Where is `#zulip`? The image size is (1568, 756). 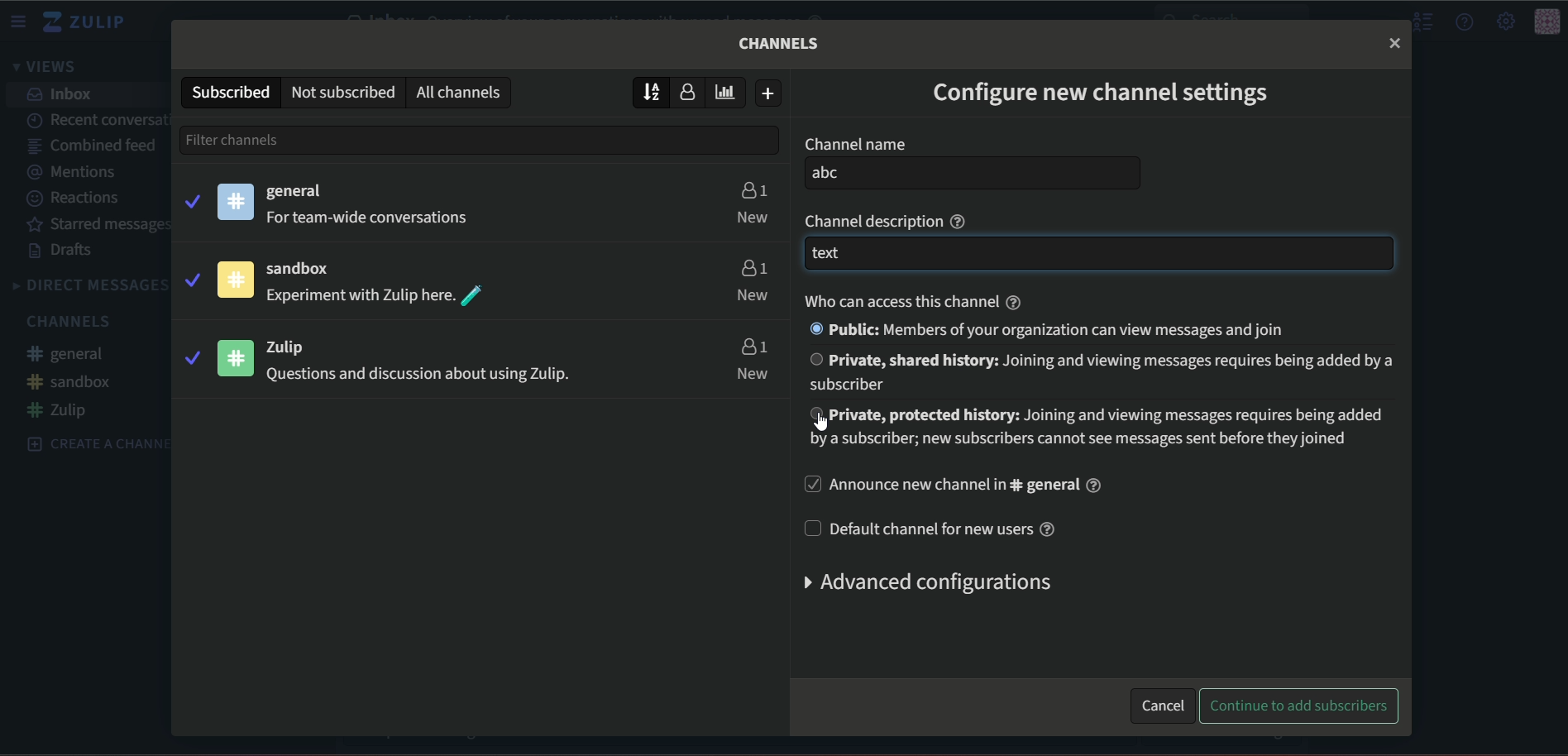 #zulip is located at coordinates (63, 410).